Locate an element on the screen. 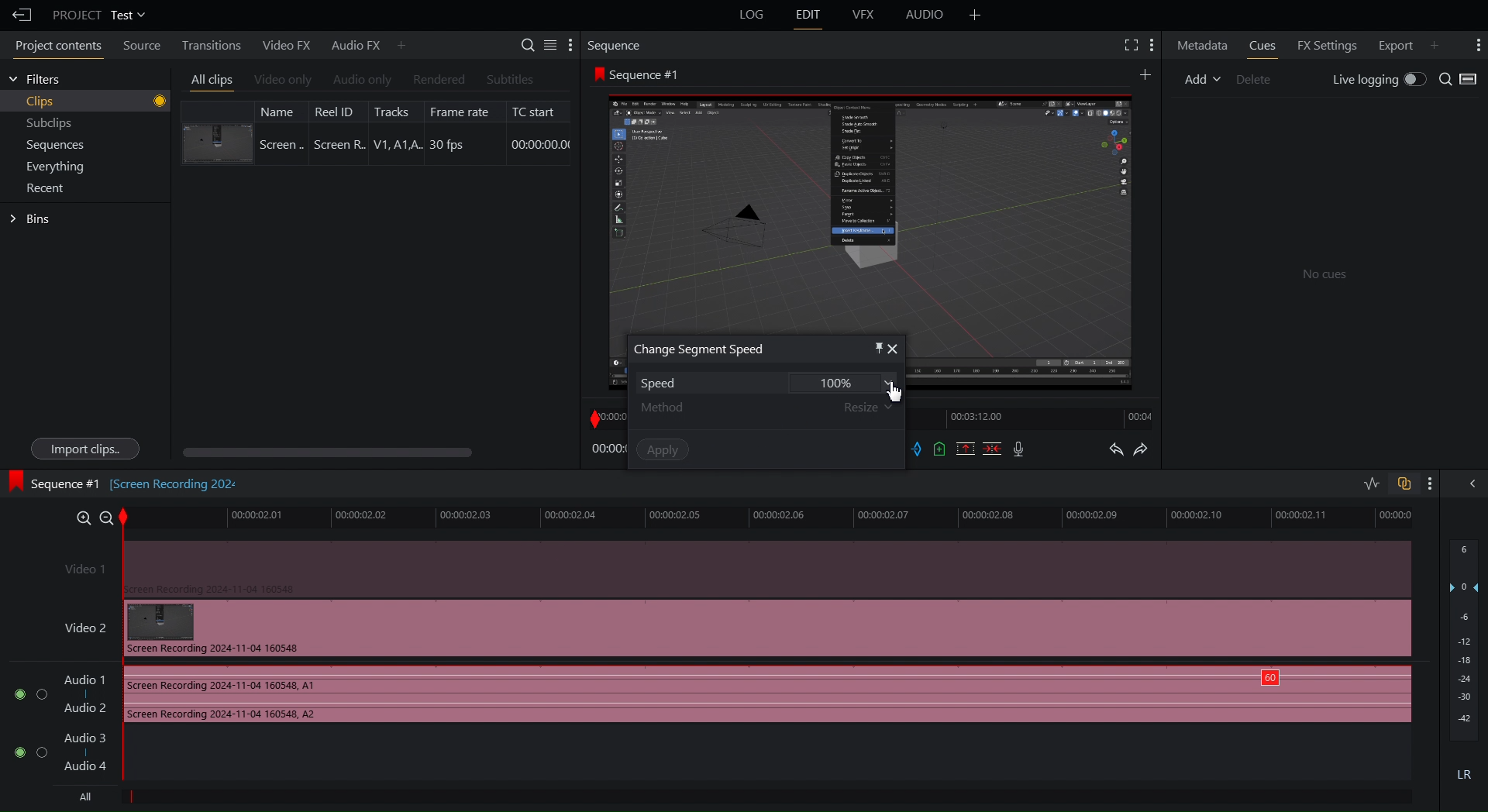 The width and height of the screenshot is (1488, 812). Change Segment Speed is located at coordinates (700, 349).